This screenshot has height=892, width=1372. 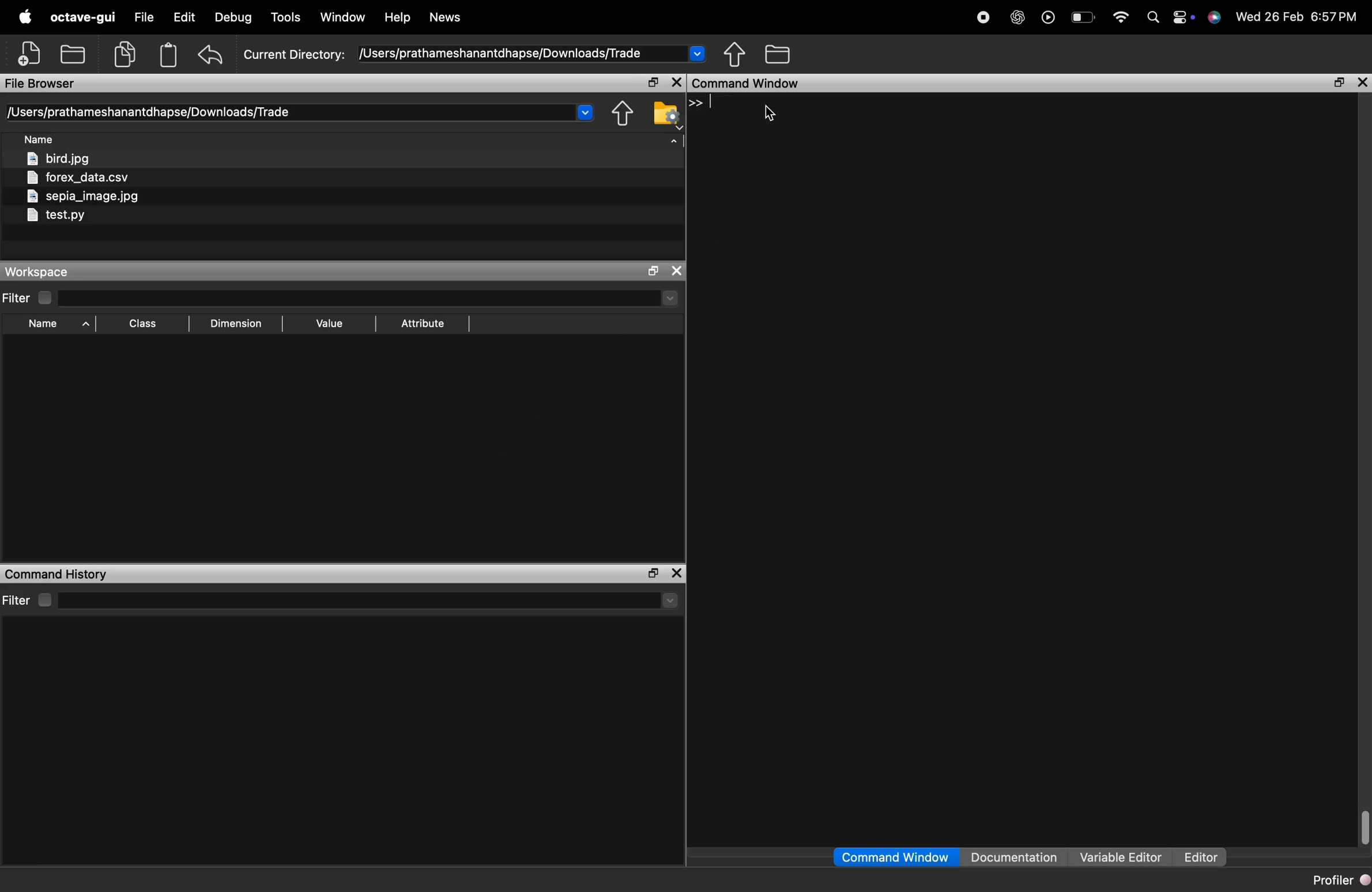 I want to click on editor, so click(x=1202, y=857).